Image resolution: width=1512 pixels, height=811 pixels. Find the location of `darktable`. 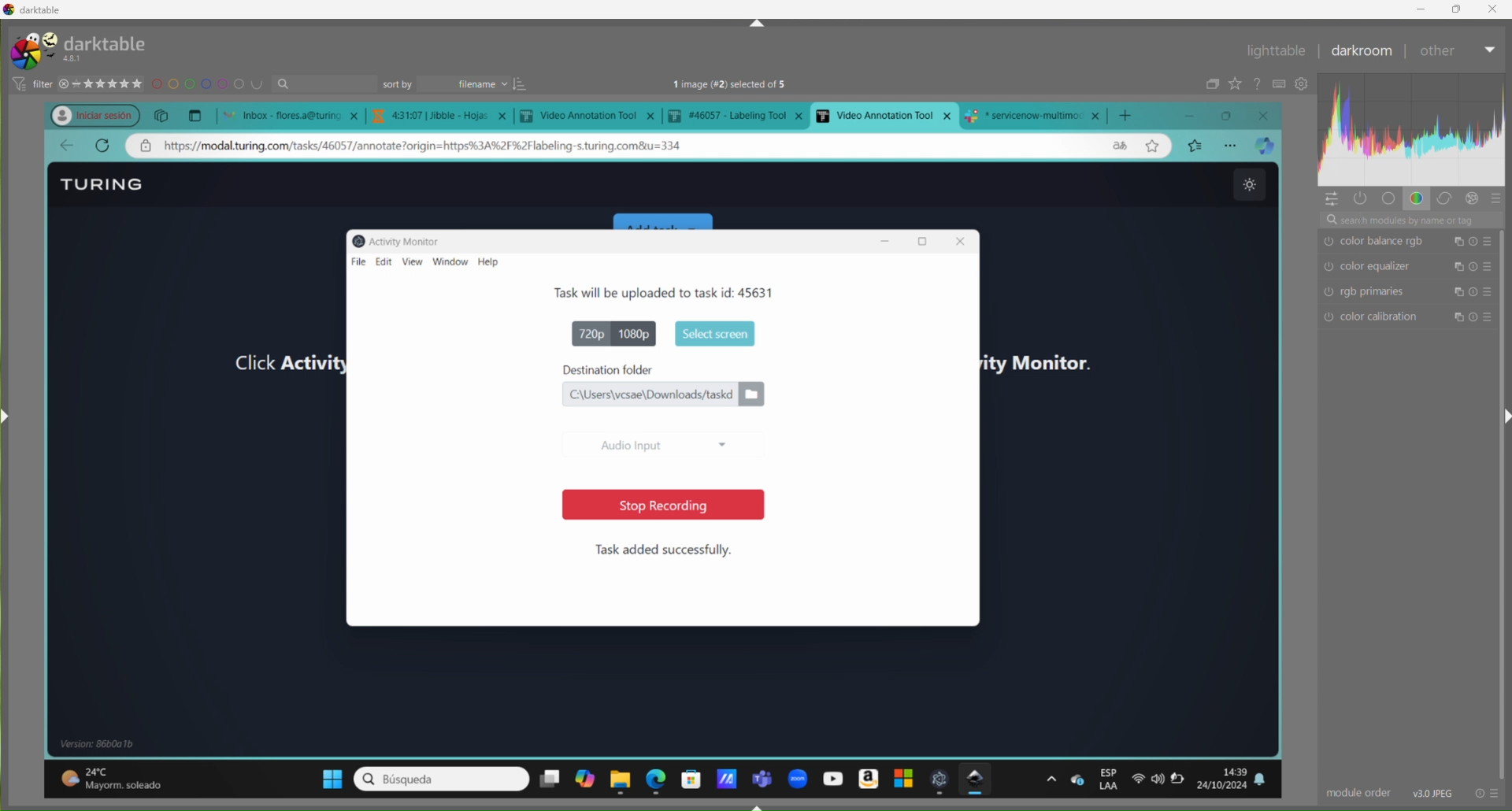

darktable is located at coordinates (35, 11).